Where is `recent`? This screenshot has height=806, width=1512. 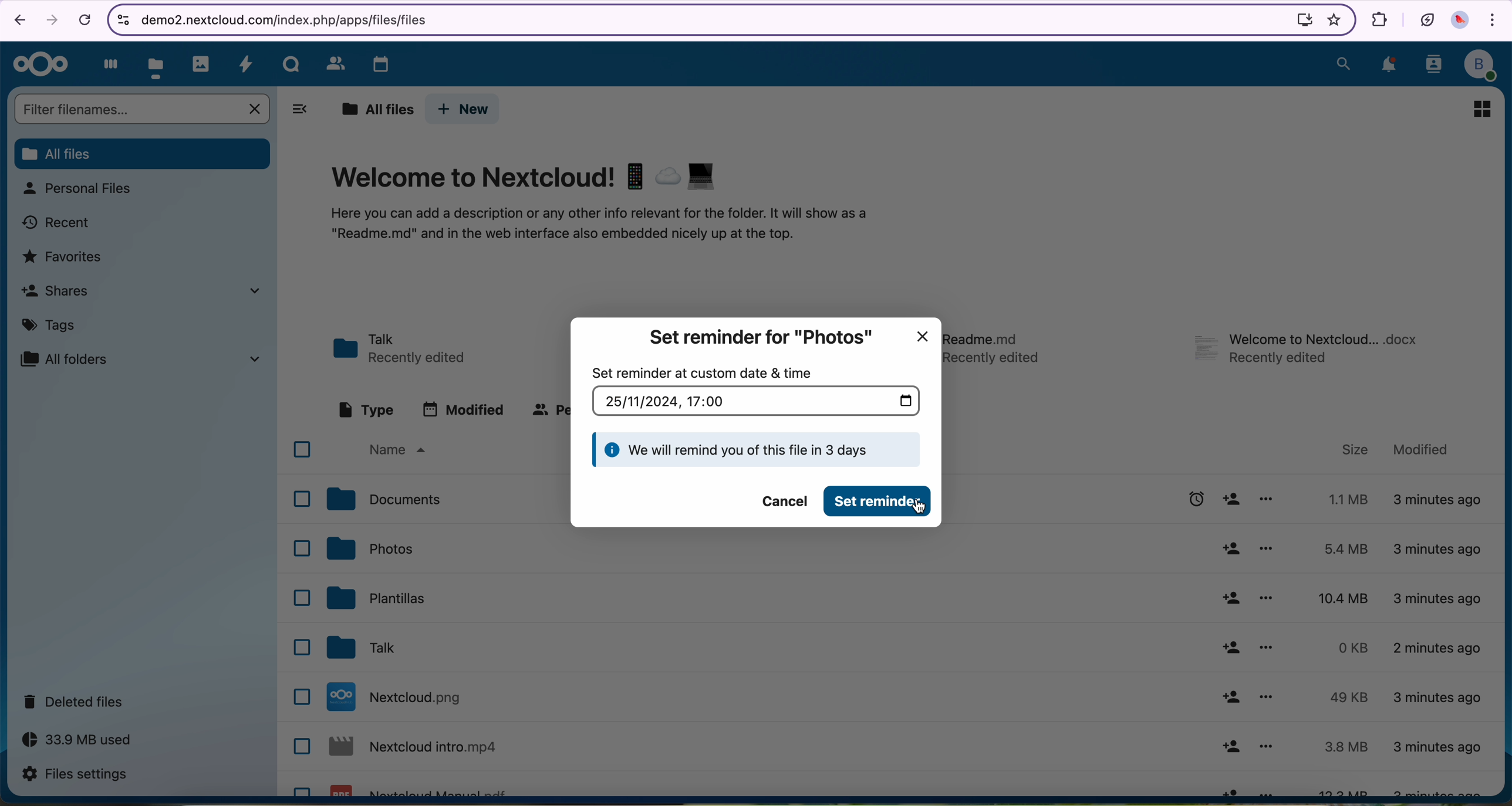 recent is located at coordinates (59, 222).